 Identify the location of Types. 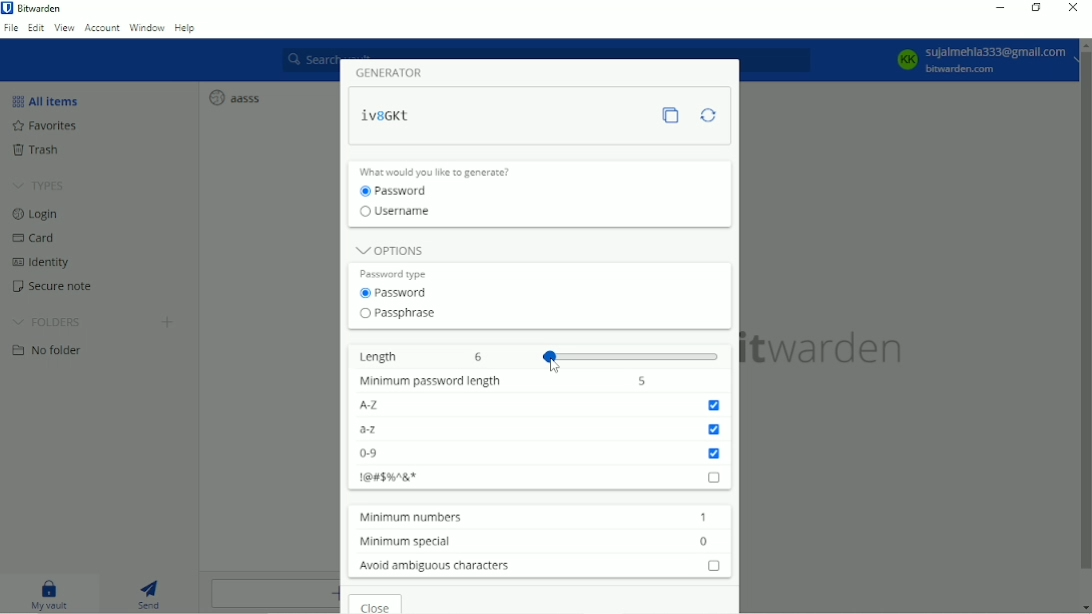
(39, 186).